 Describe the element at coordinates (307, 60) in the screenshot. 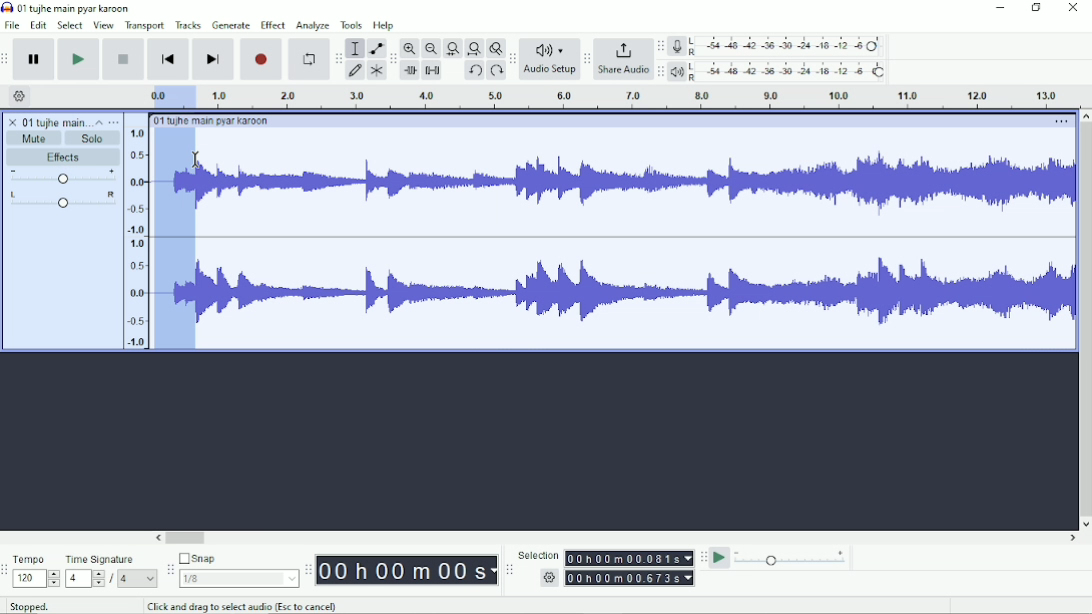

I see `Enable looping` at that location.